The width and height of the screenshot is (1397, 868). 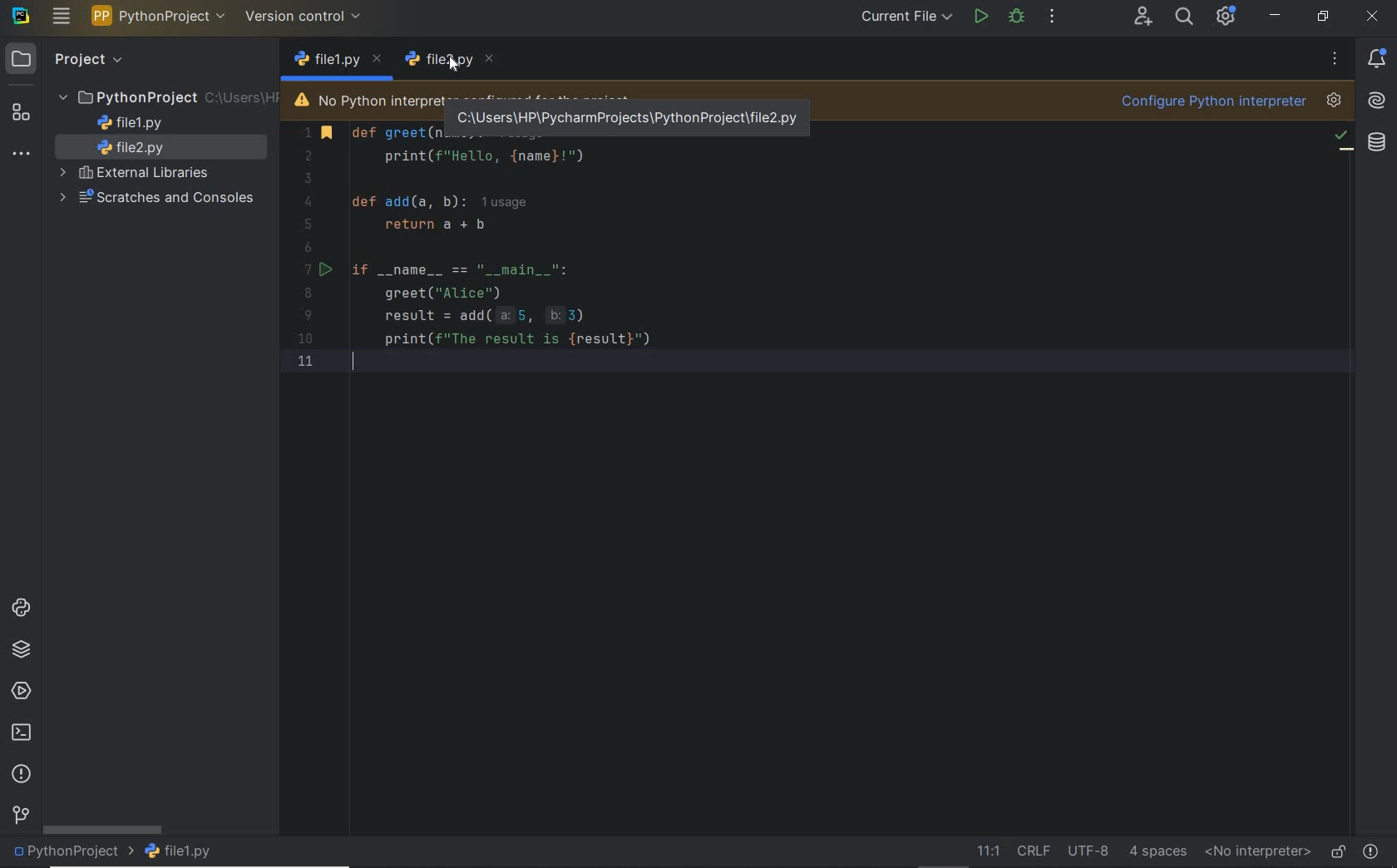 I want to click on current file, so click(x=906, y=16).